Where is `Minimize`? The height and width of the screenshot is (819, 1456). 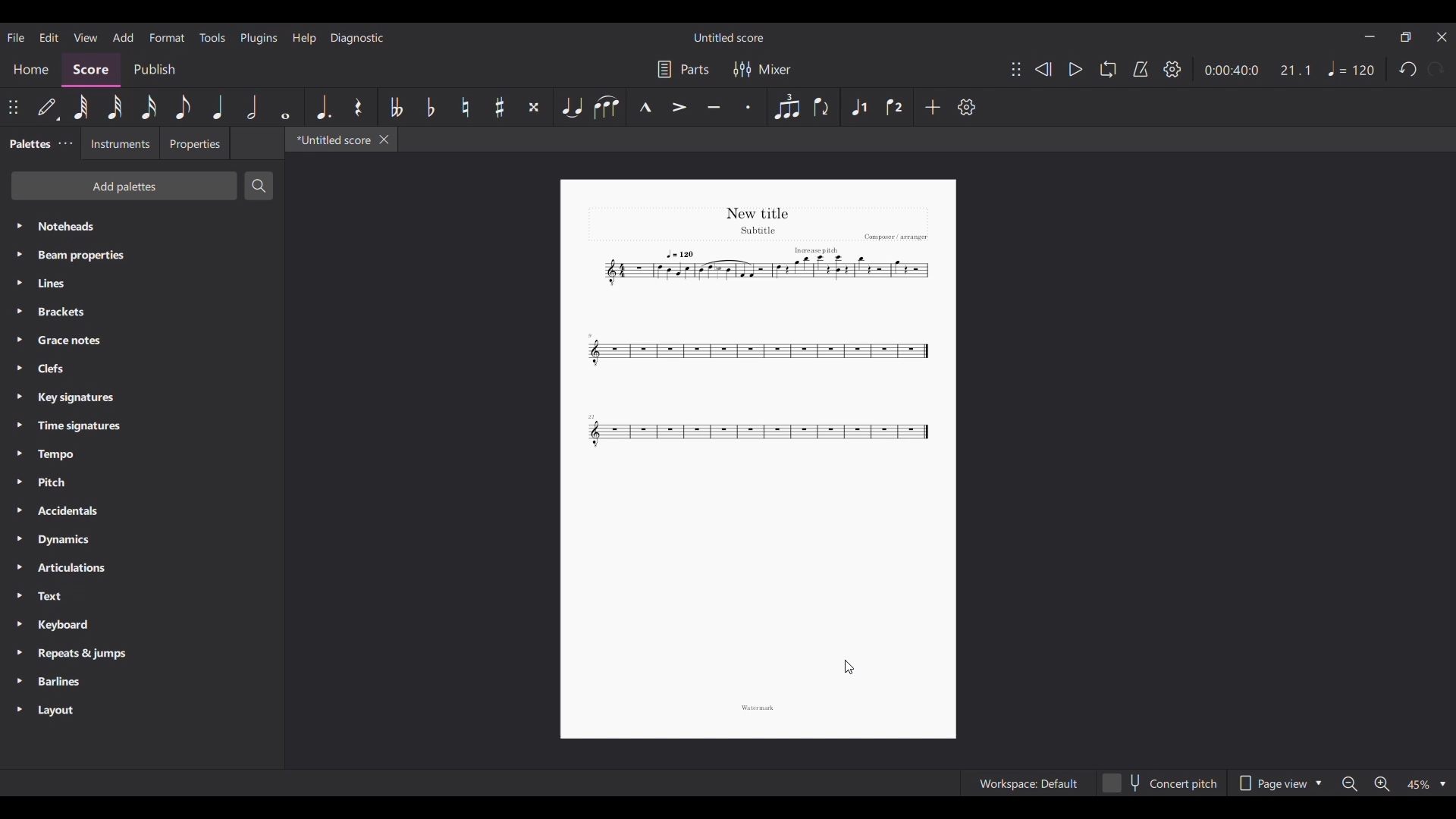
Minimize is located at coordinates (1370, 36).